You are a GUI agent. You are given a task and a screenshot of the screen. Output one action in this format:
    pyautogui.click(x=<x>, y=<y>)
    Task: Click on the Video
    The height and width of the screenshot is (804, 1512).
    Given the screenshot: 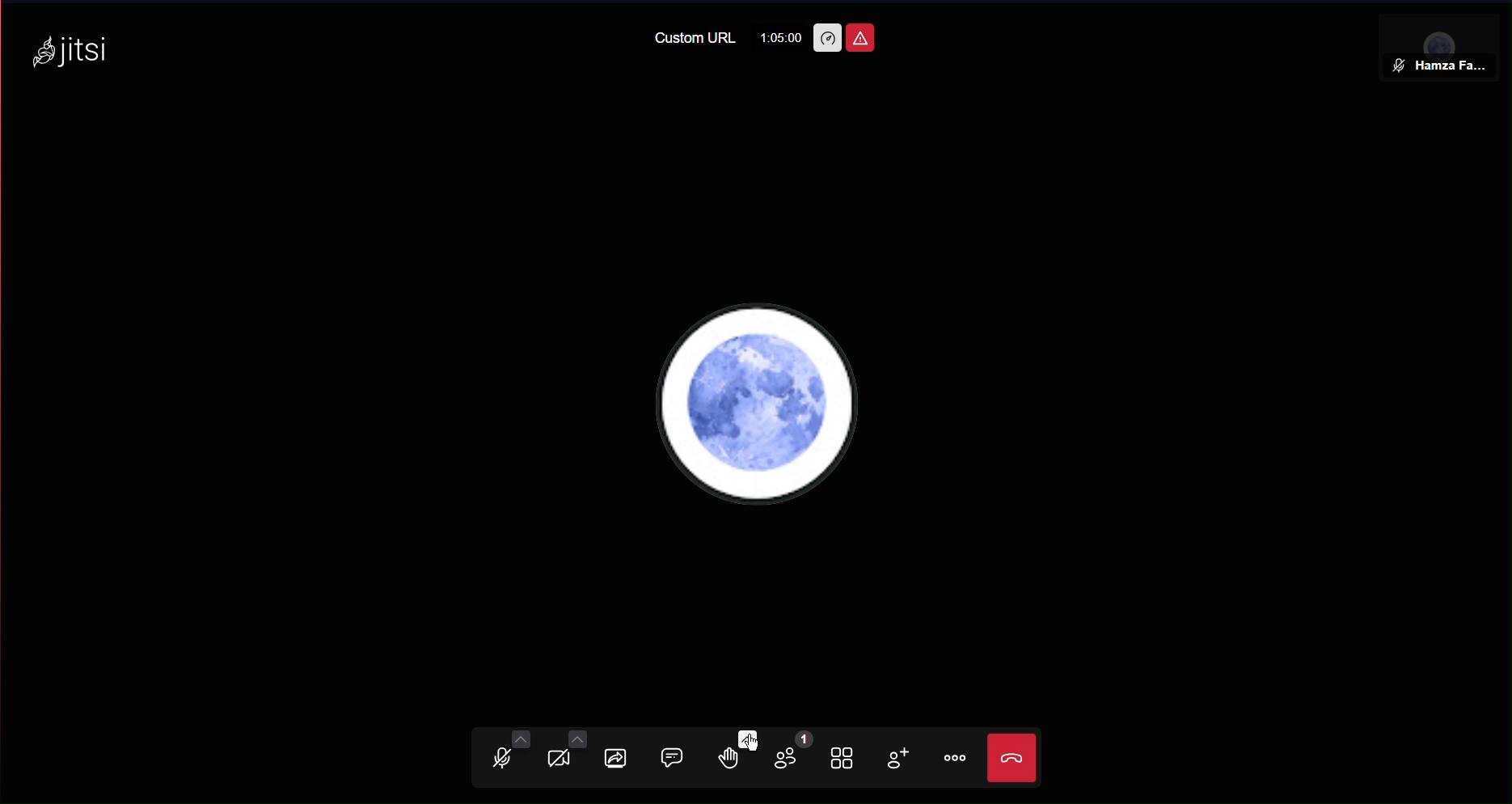 What is the action you would take?
    pyautogui.click(x=562, y=757)
    